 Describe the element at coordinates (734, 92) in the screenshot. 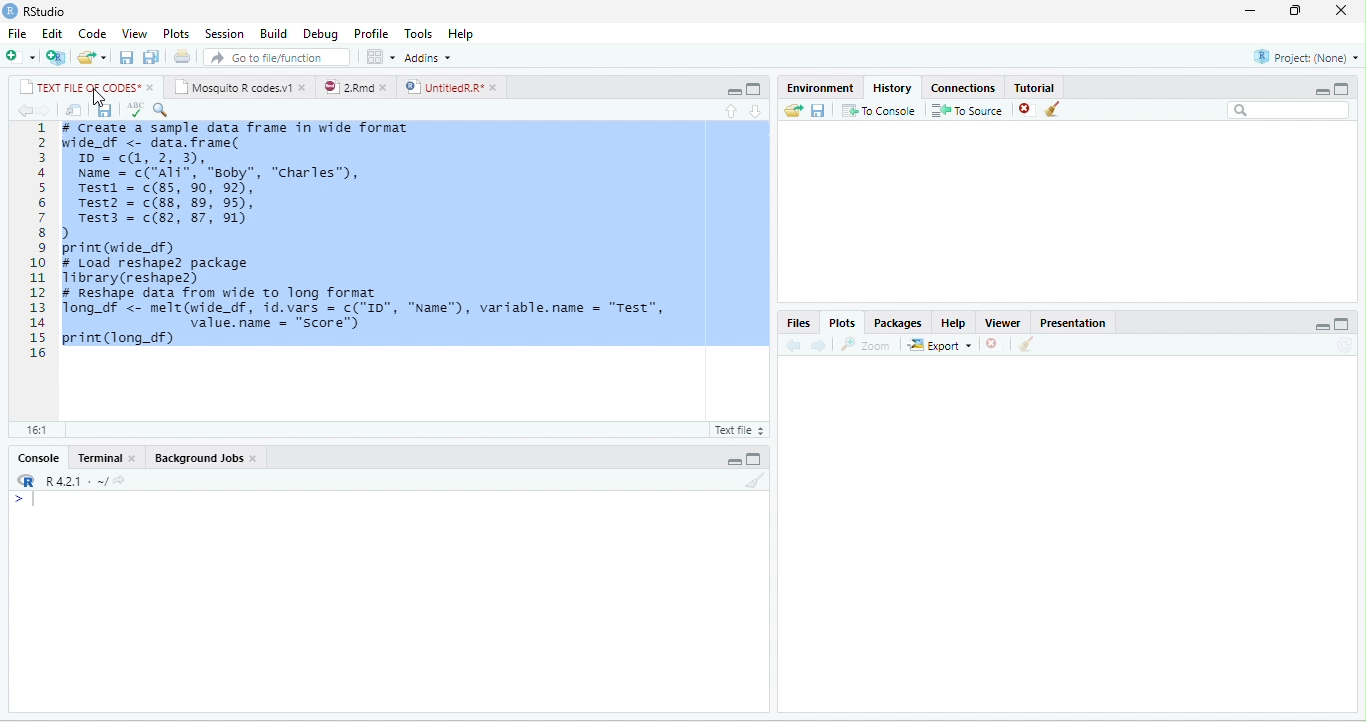

I see `minimize` at that location.